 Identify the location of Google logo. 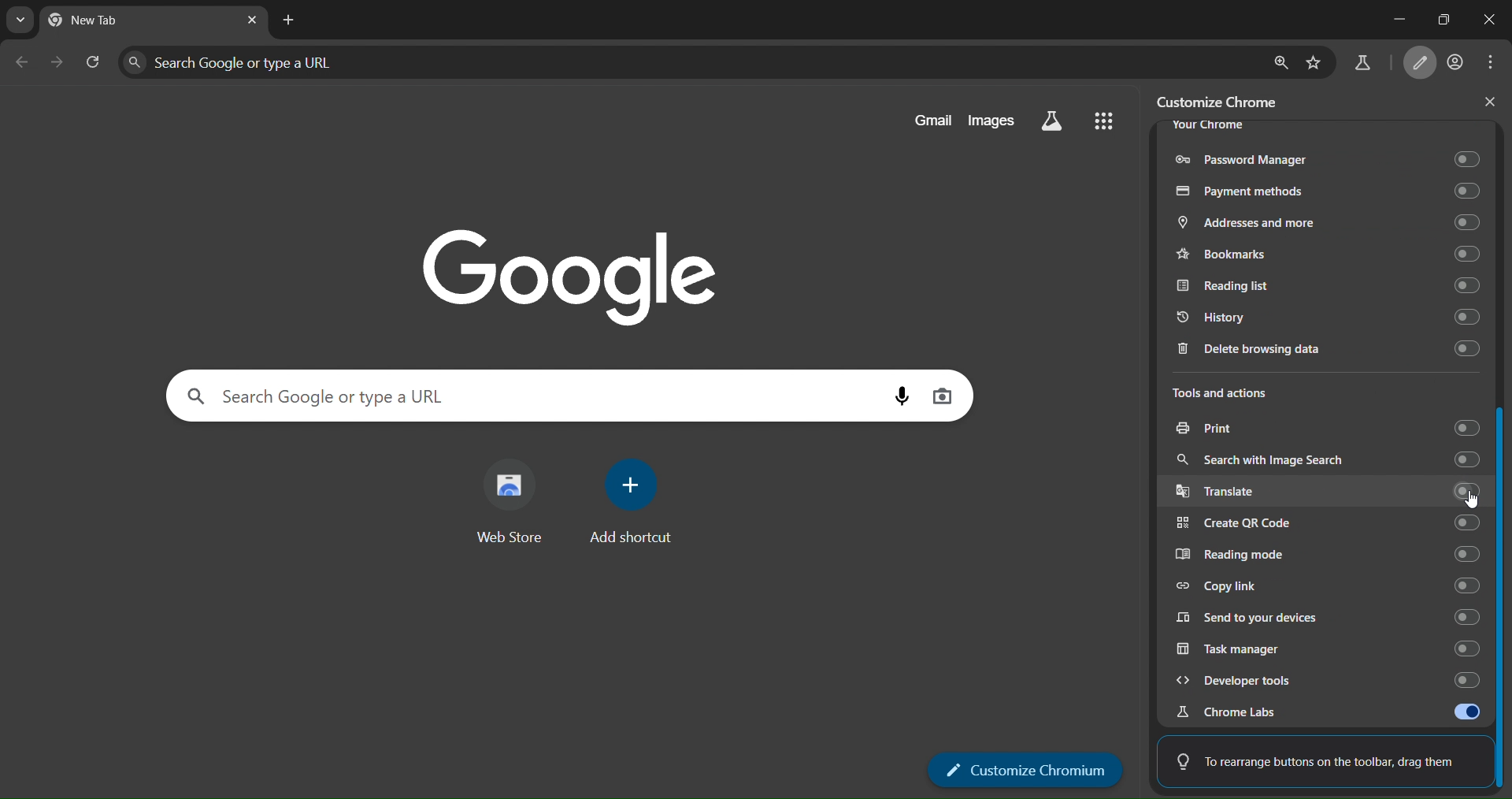
(556, 273).